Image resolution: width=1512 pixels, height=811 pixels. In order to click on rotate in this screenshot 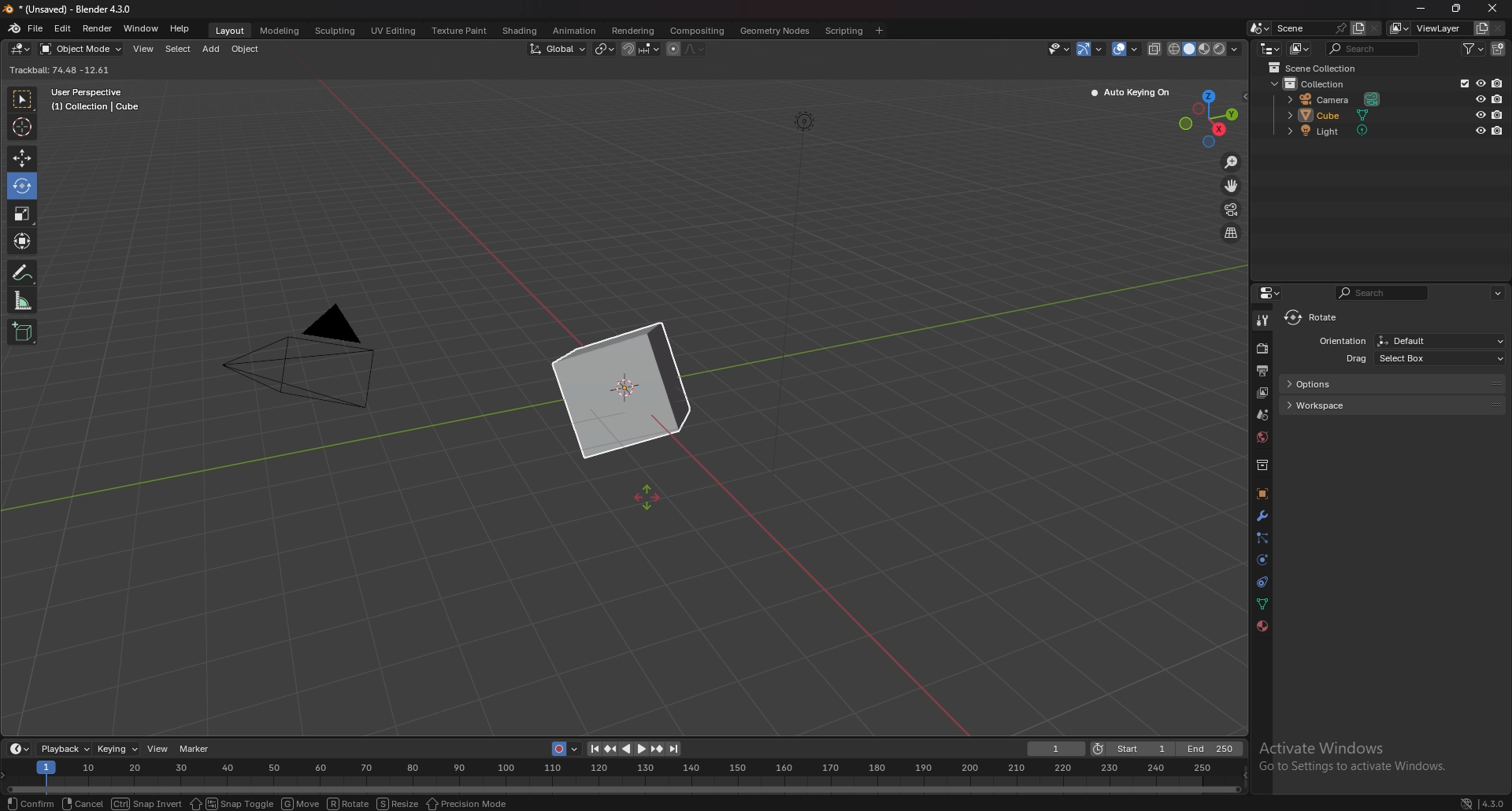, I will do `click(1316, 318)`.